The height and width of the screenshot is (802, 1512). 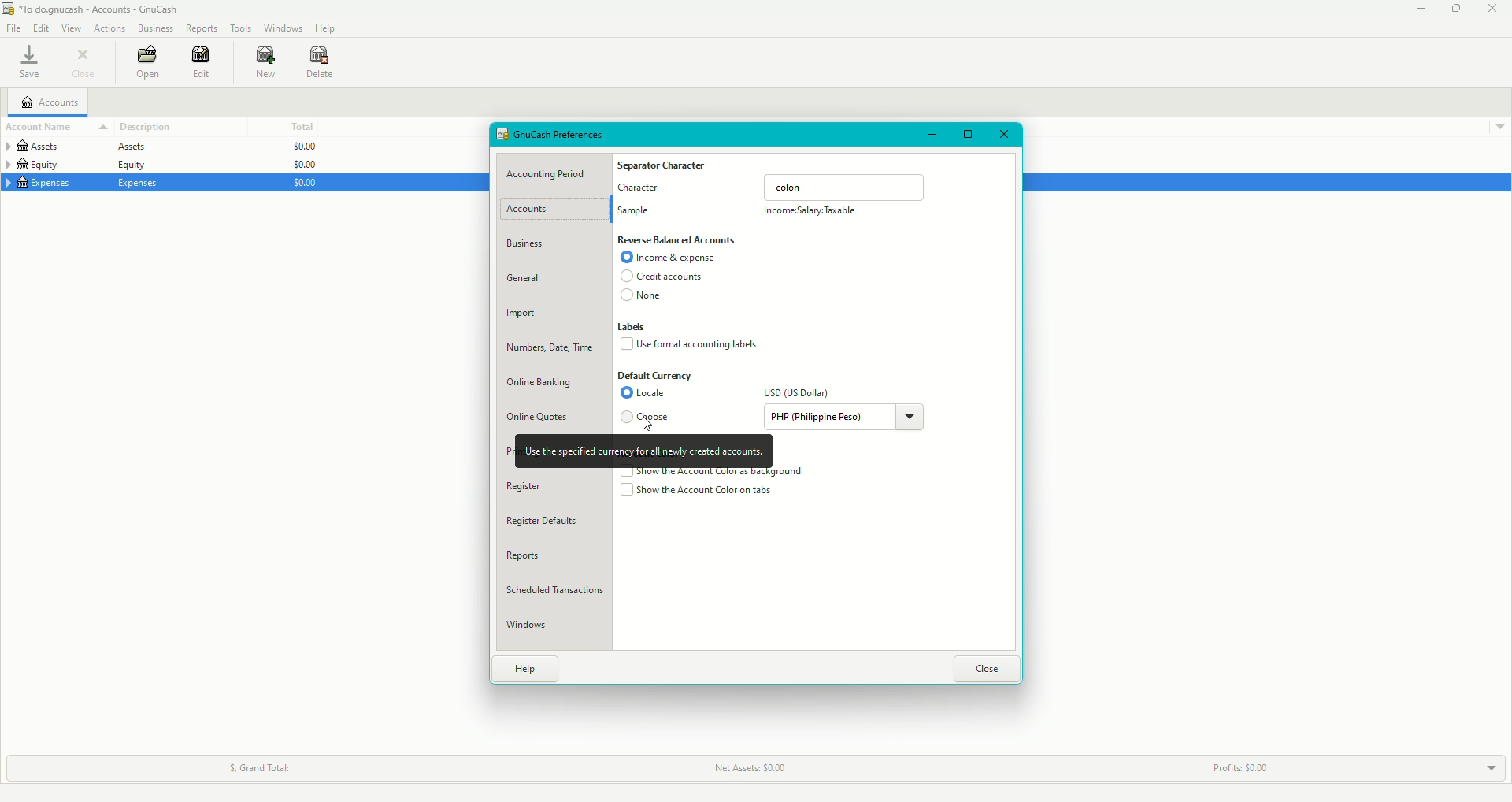 I want to click on Business, so click(x=155, y=27).